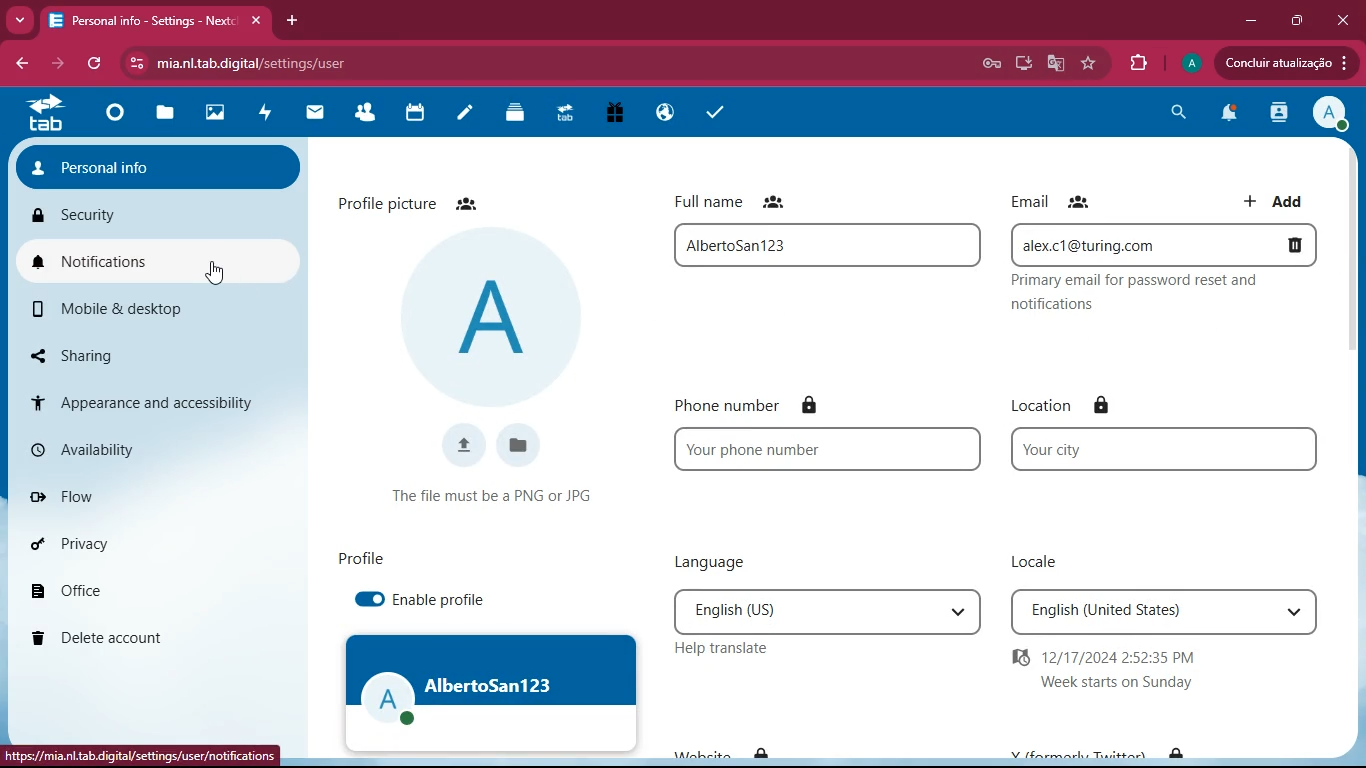 This screenshot has width=1366, height=768. Describe the element at coordinates (991, 64) in the screenshot. I see `Password Manager` at that location.